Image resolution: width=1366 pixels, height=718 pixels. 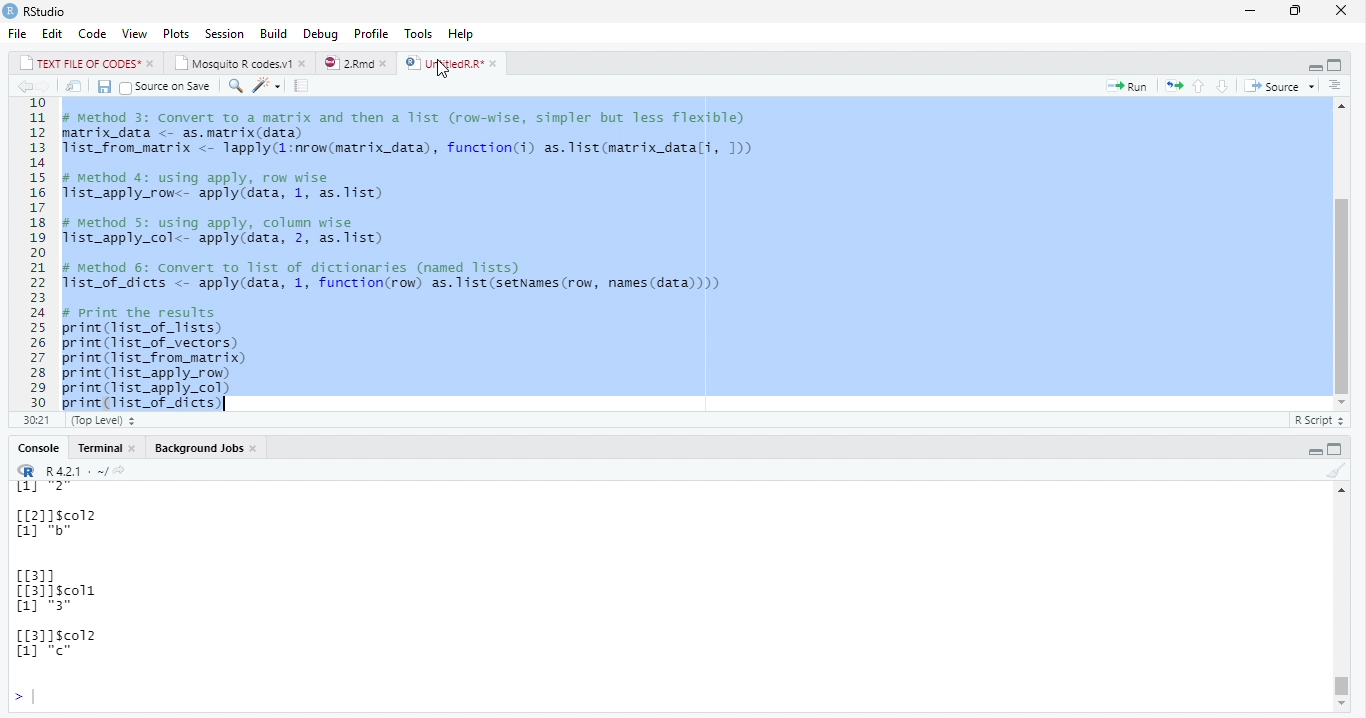 I want to click on Line number, so click(x=35, y=254).